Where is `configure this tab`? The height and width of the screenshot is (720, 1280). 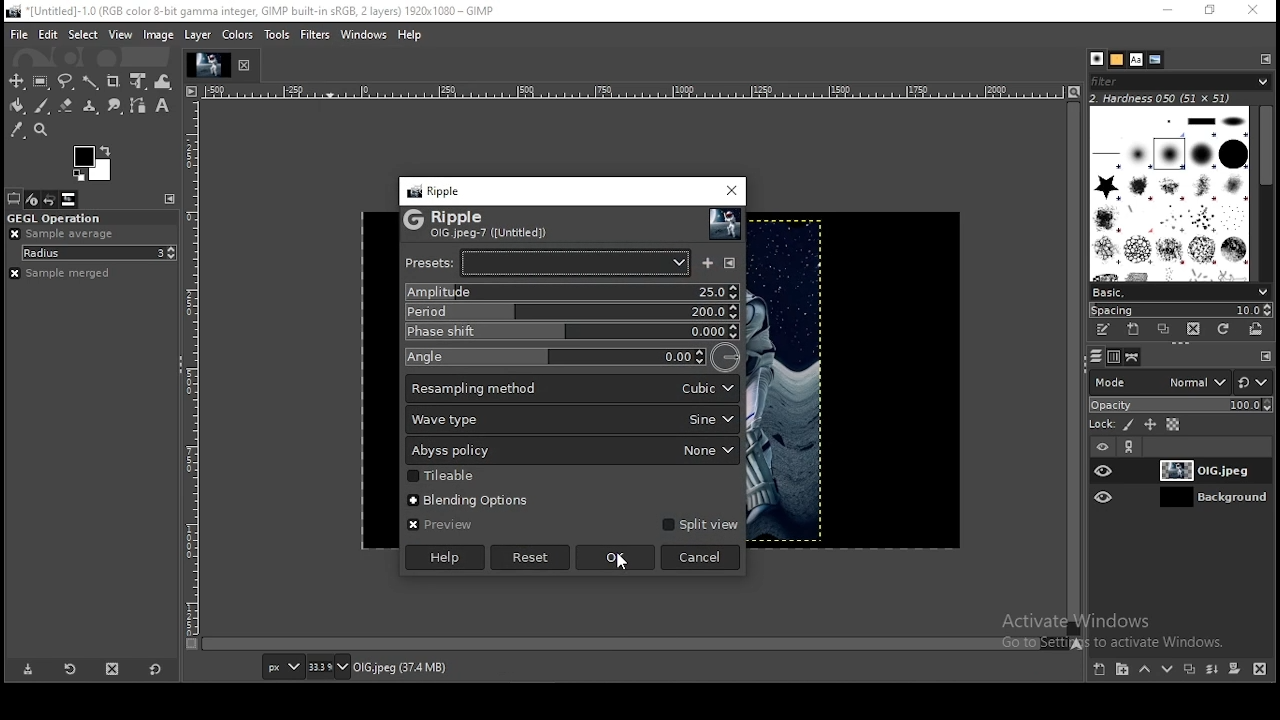 configure this tab is located at coordinates (1266, 354).